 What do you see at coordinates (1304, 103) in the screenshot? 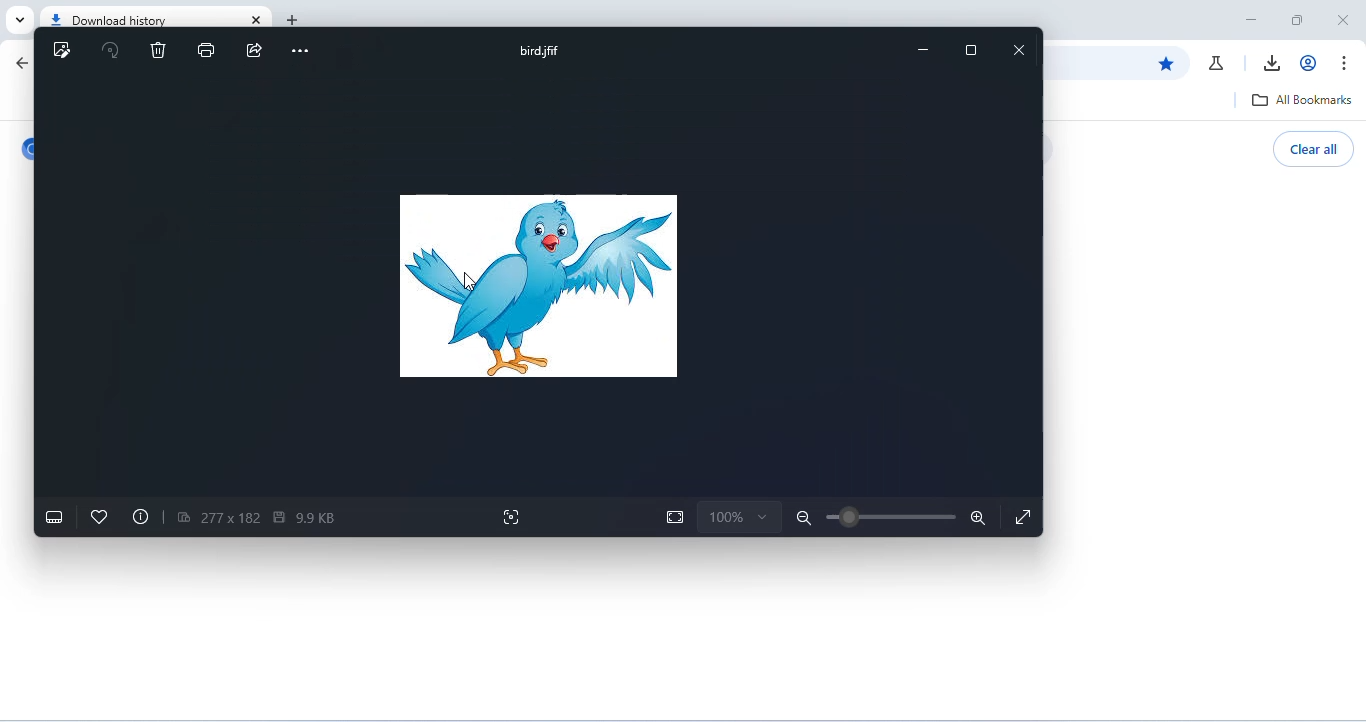
I see `all bookmarks` at bounding box center [1304, 103].